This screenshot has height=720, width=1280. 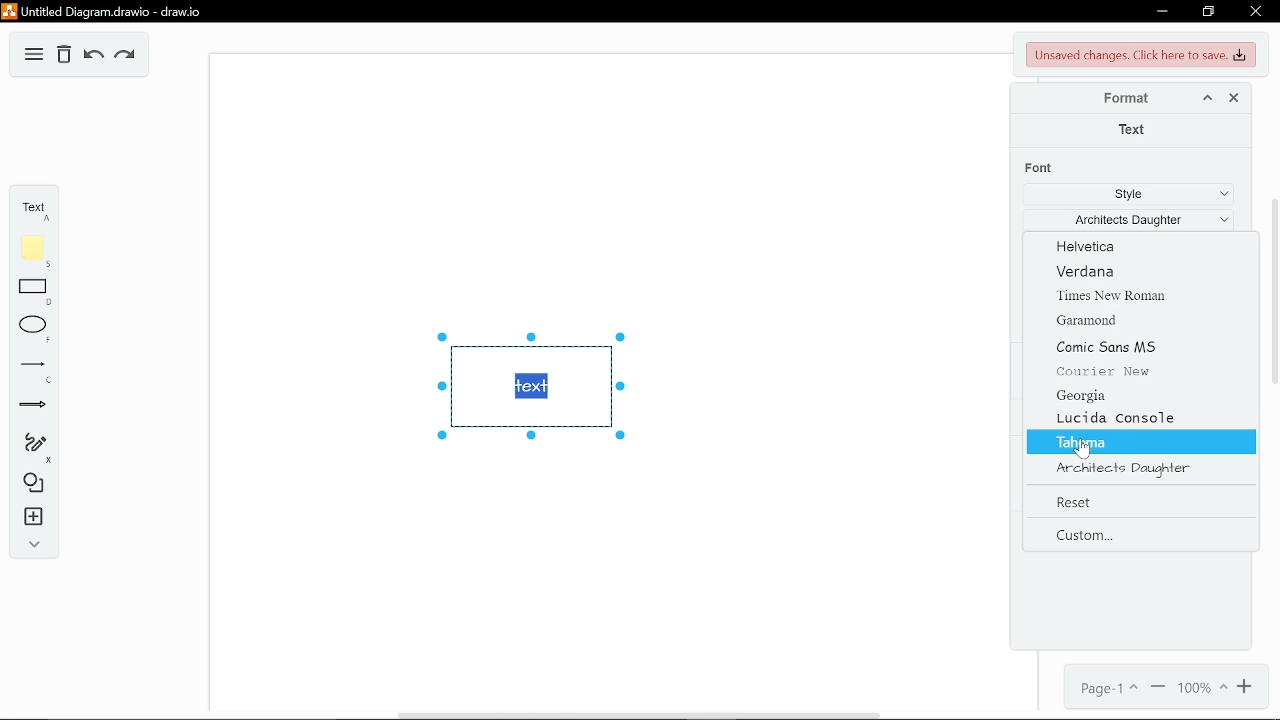 I want to click on collapse, so click(x=30, y=545).